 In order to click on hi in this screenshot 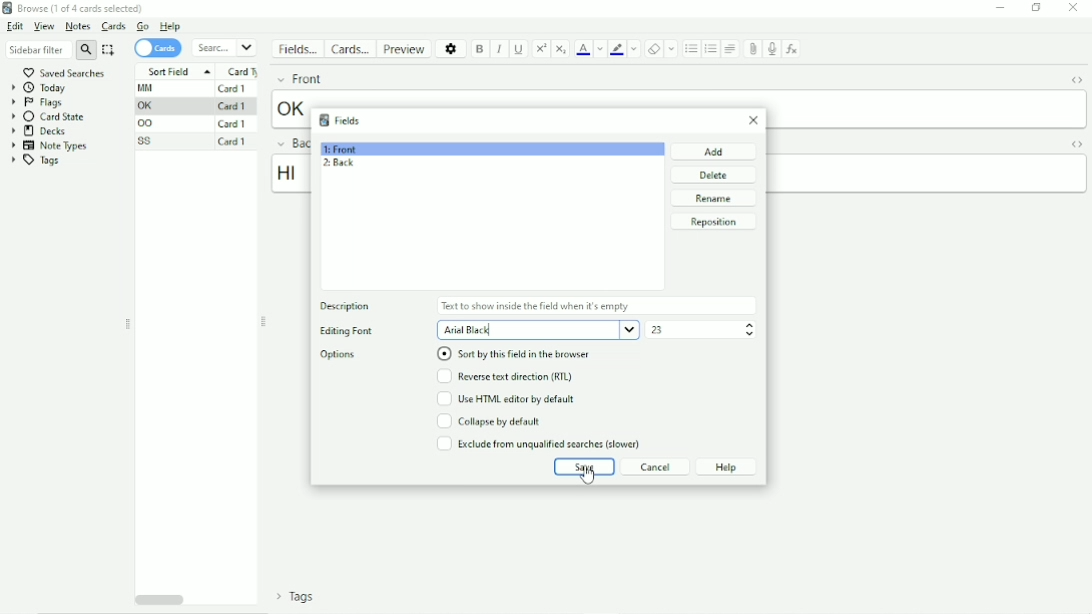, I will do `click(290, 174)`.